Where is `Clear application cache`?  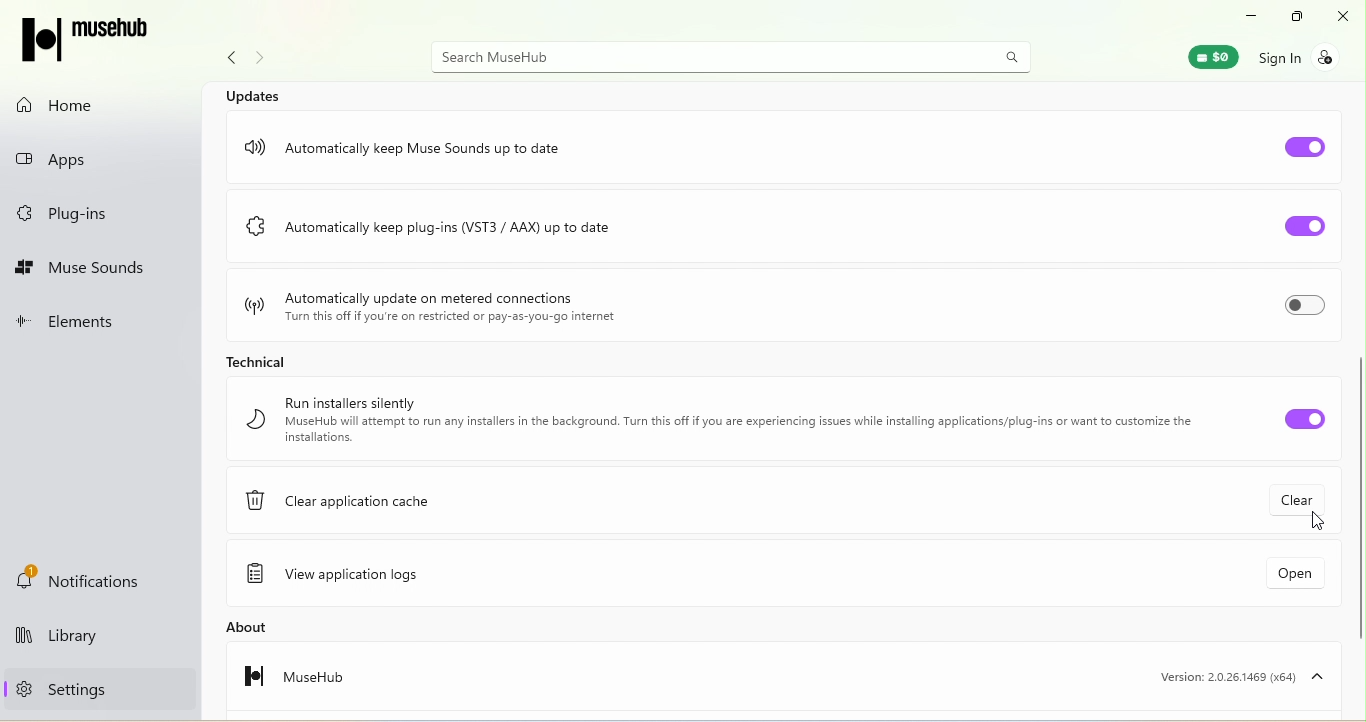
Clear application cache is located at coordinates (352, 506).